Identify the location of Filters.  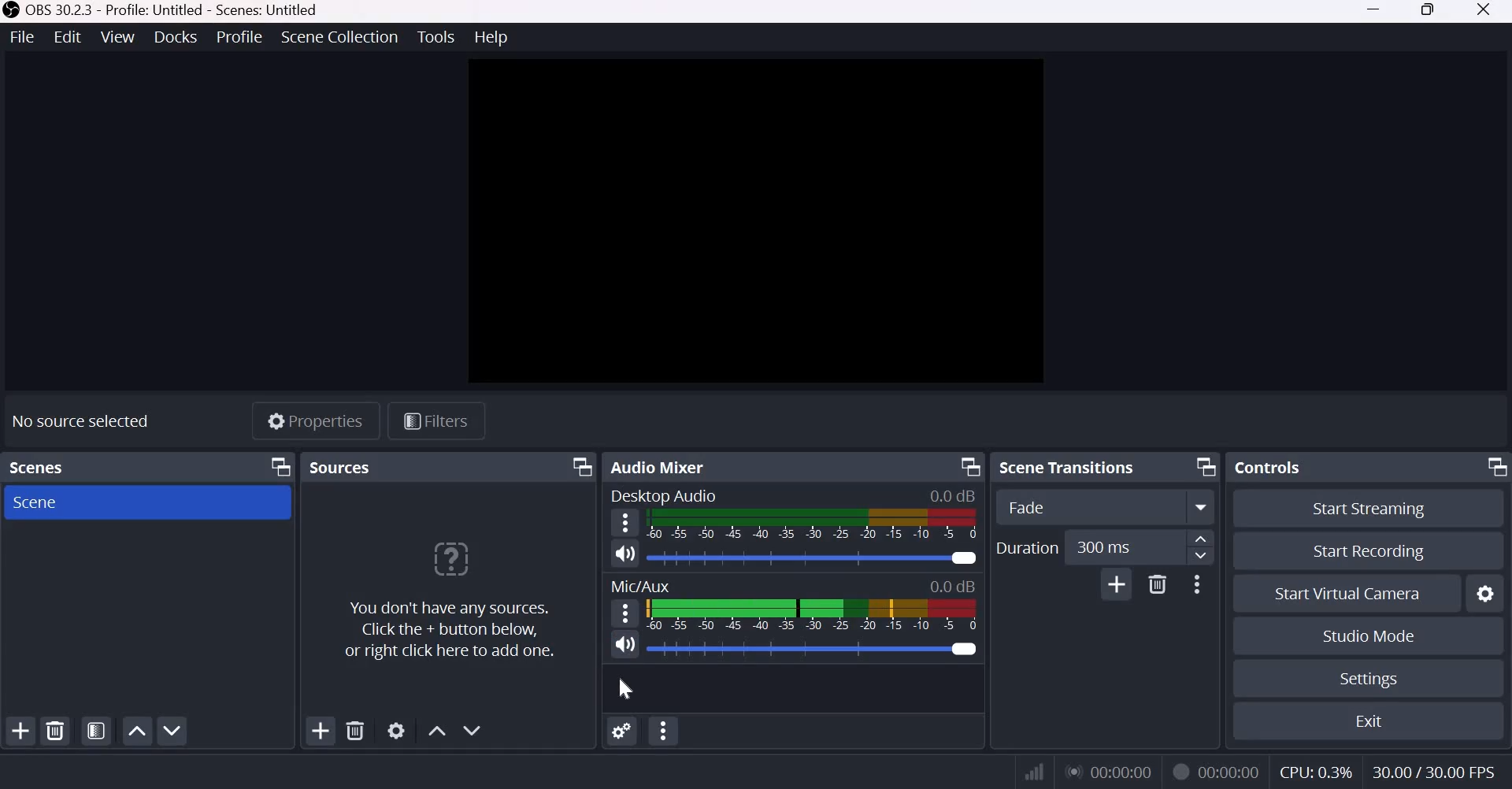
(433, 420).